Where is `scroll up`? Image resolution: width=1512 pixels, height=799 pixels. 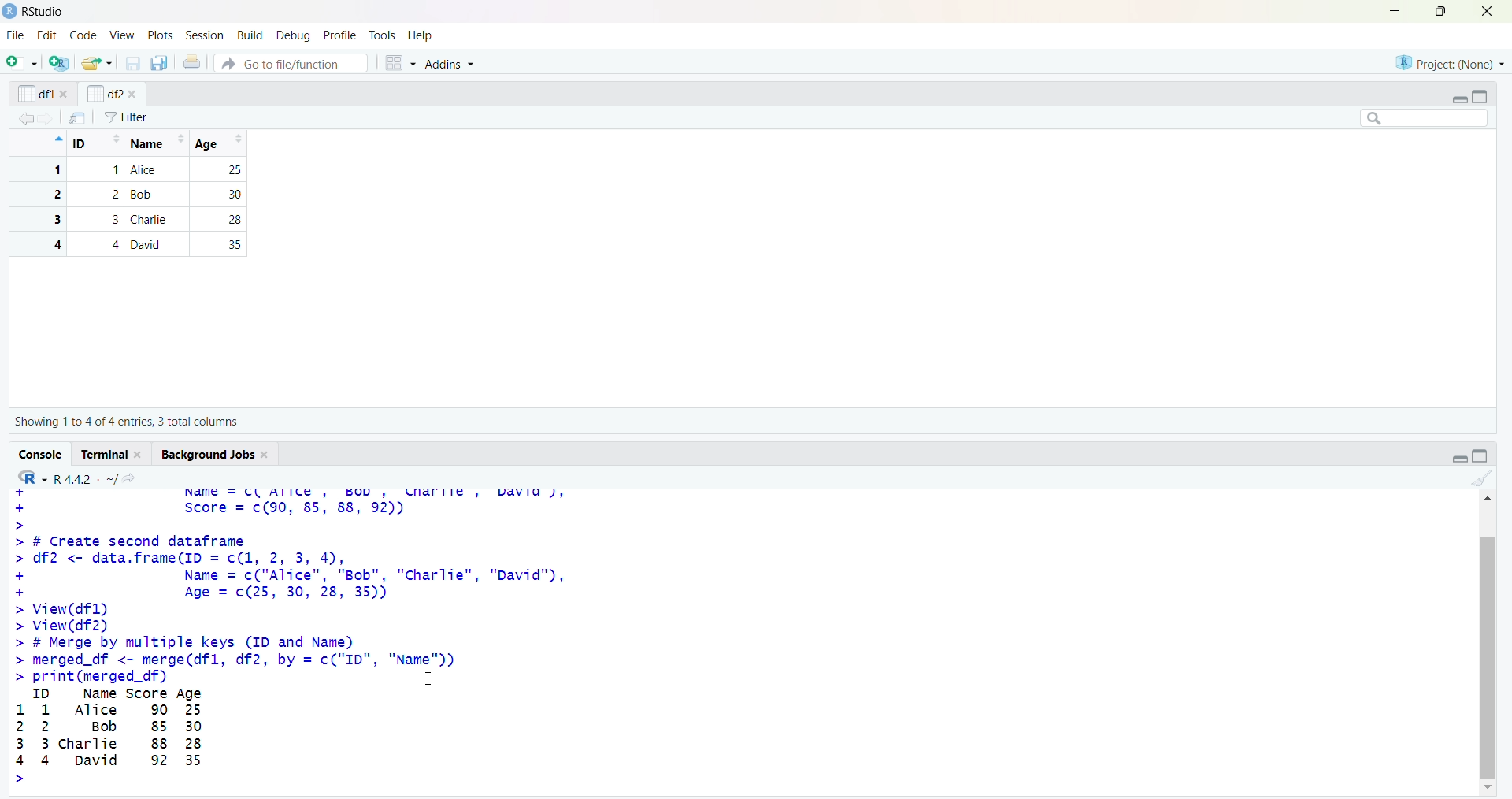 scroll up is located at coordinates (1487, 498).